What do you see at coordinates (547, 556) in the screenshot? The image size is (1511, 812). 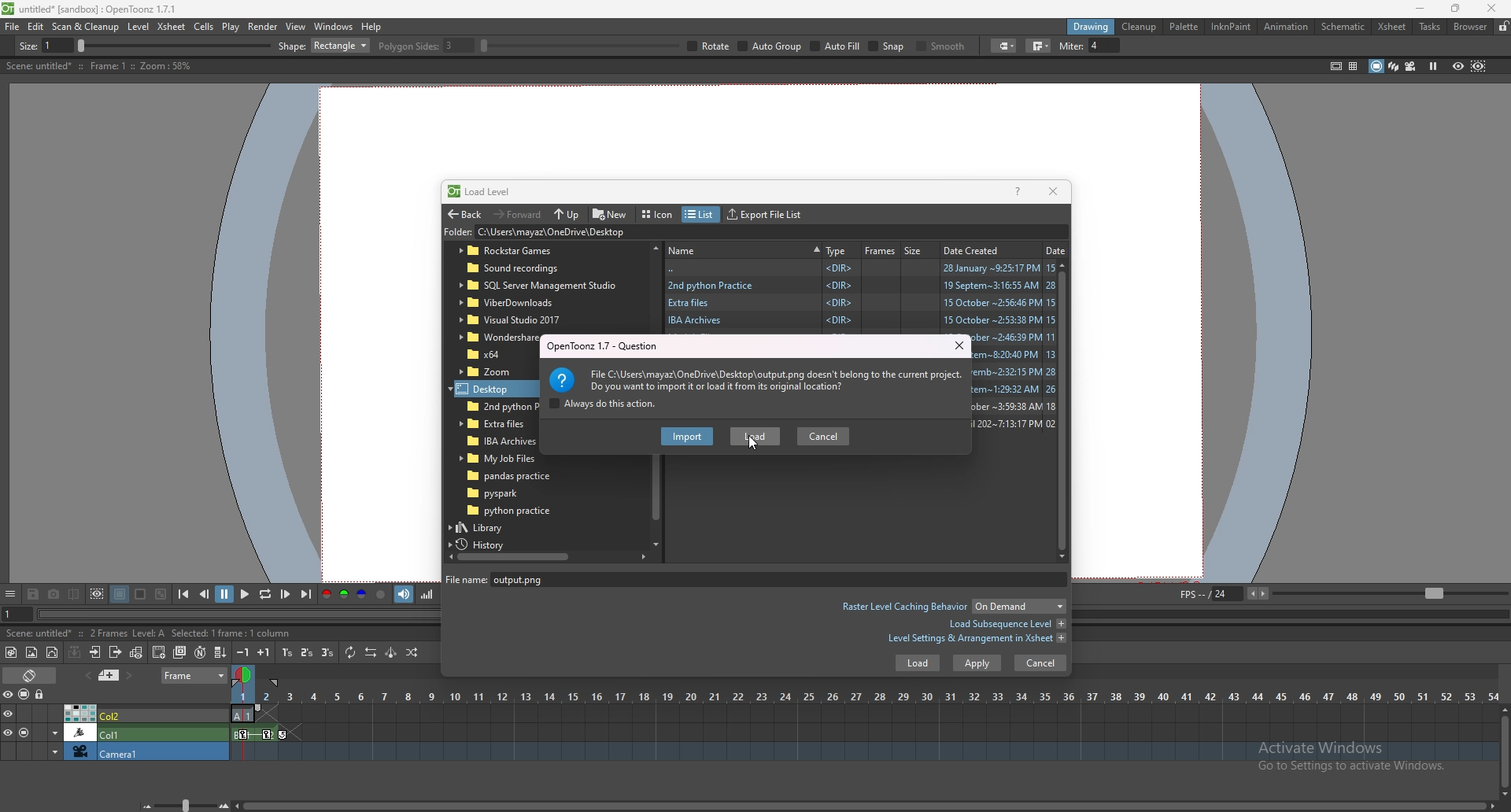 I see `scroll bar` at bounding box center [547, 556].